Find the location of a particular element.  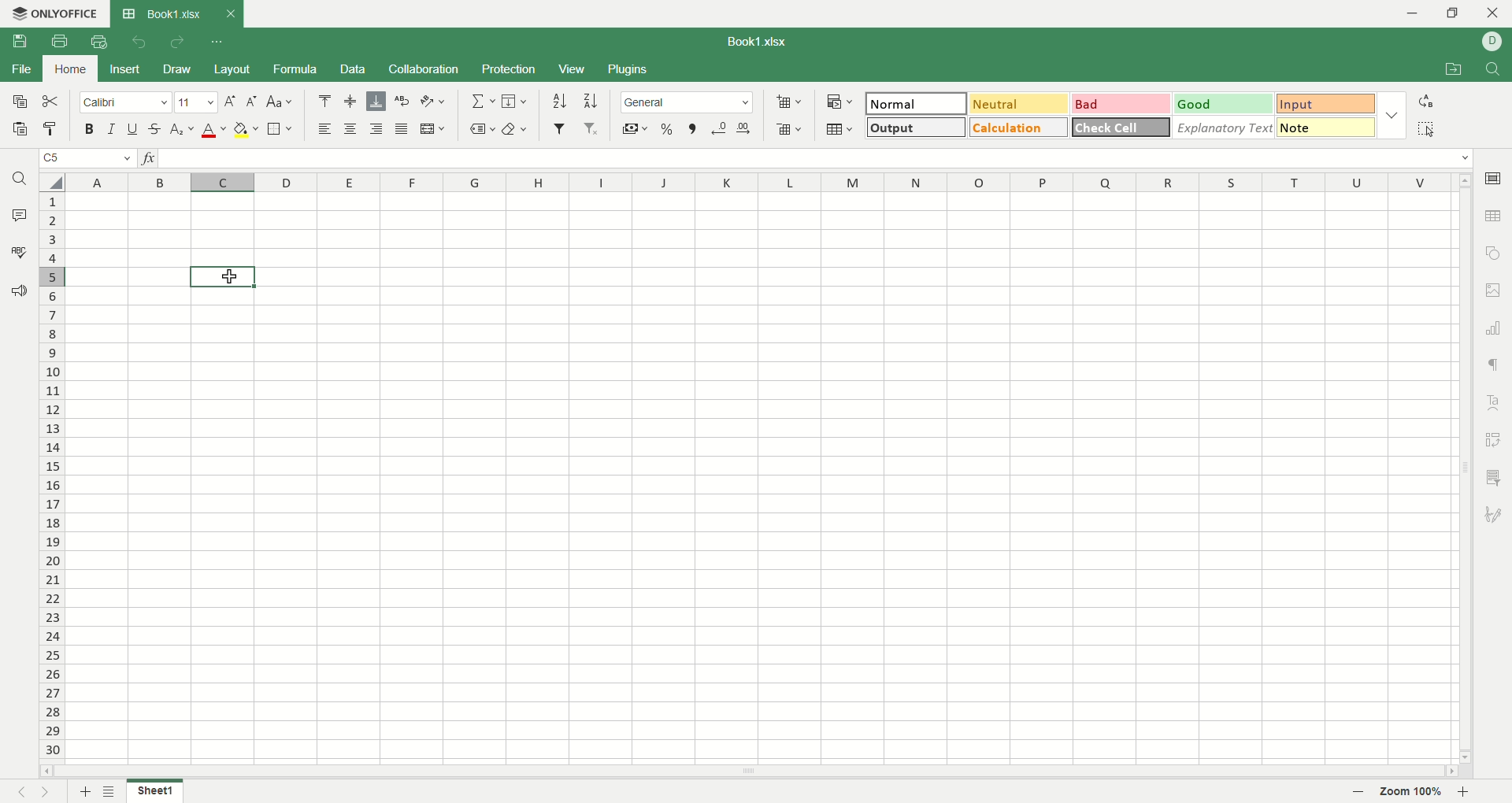

Book1.xslx is located at coordinates (176, 13).